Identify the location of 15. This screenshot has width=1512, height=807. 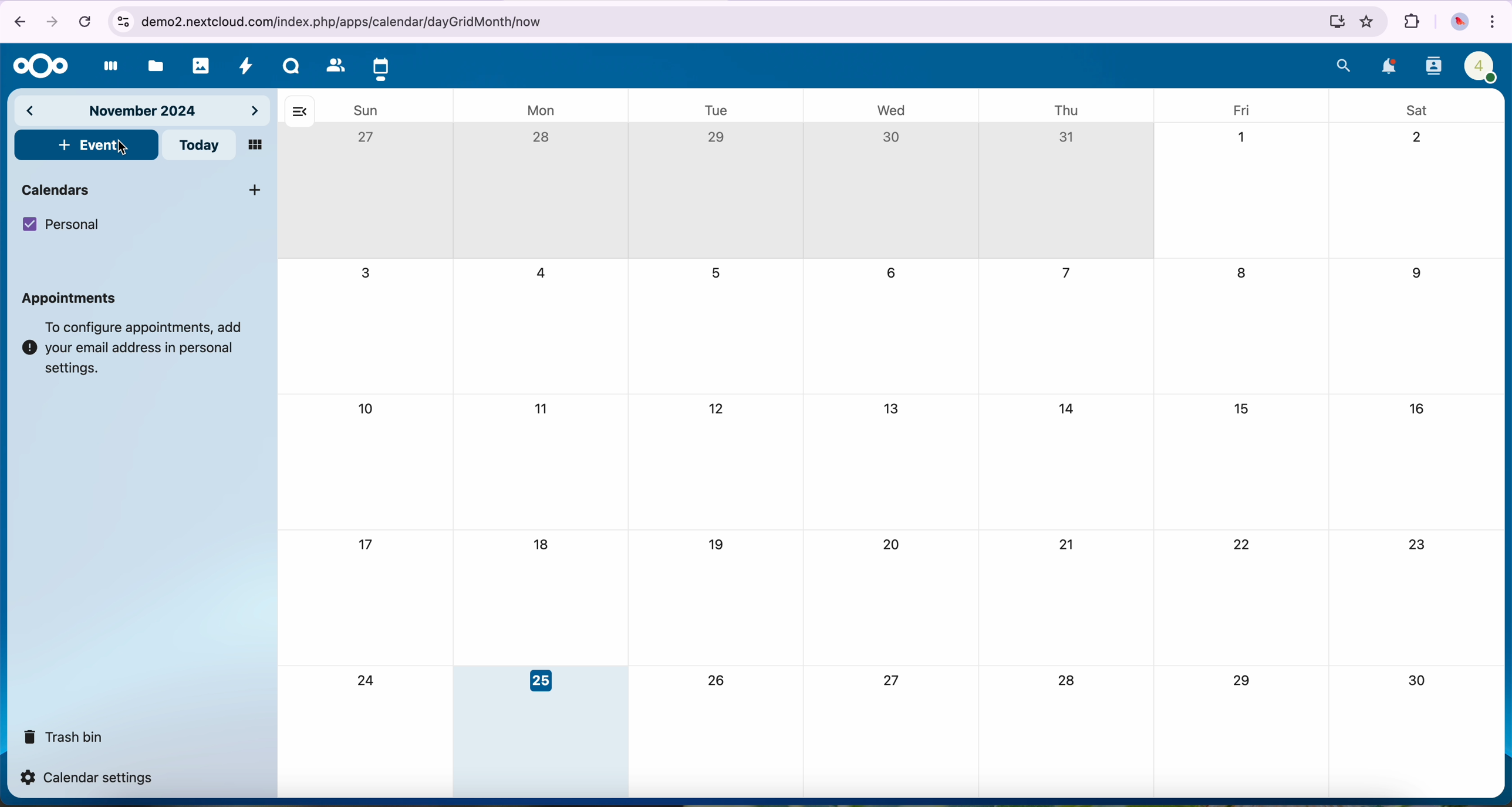
(1244, 411).